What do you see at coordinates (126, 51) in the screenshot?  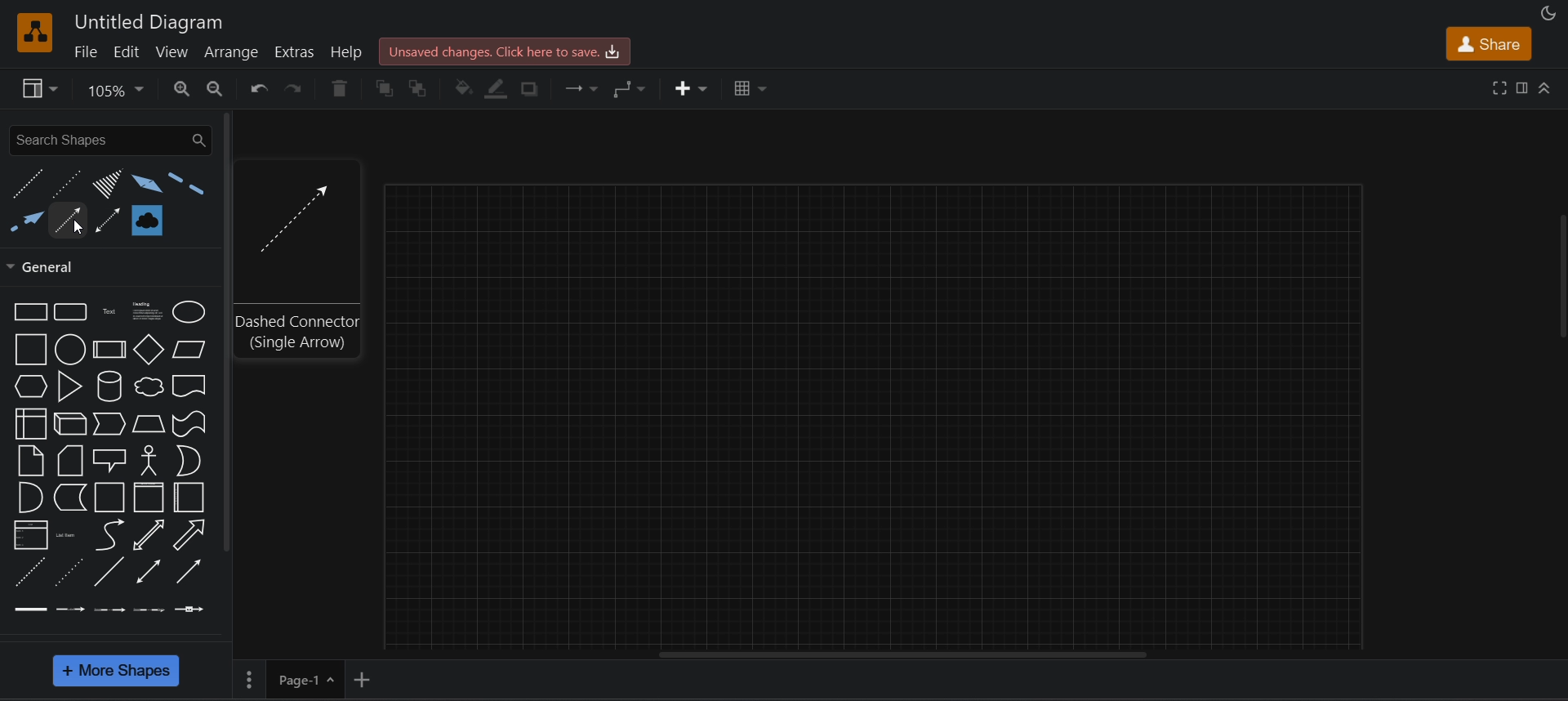 I see `edit` at bounding box center [126, 51].